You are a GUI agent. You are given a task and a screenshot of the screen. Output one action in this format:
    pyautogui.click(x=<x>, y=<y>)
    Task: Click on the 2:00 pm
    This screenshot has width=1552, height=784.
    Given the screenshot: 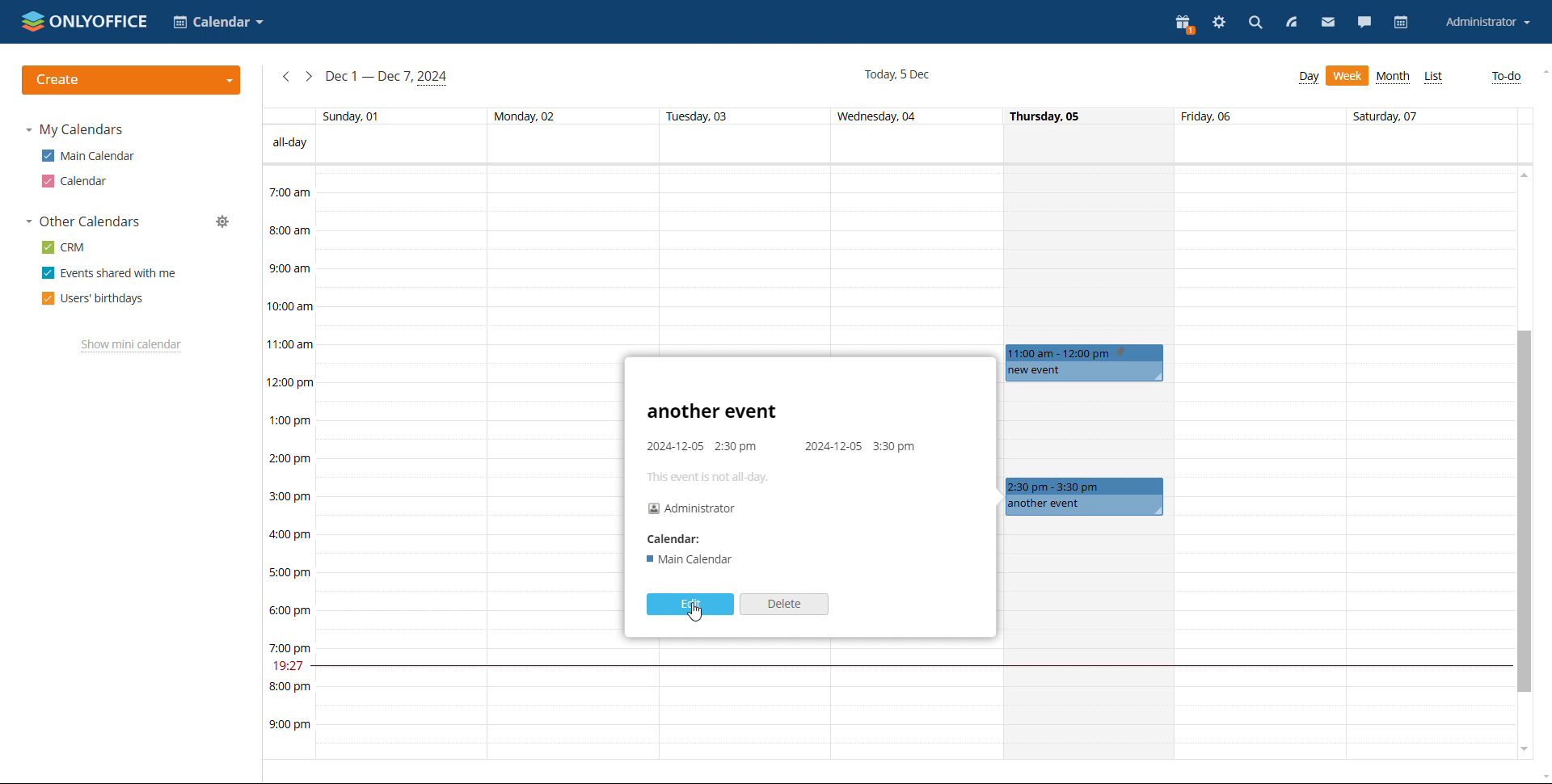 What is the action you would take?
    pyautogui.click(x=290, y=458)
    